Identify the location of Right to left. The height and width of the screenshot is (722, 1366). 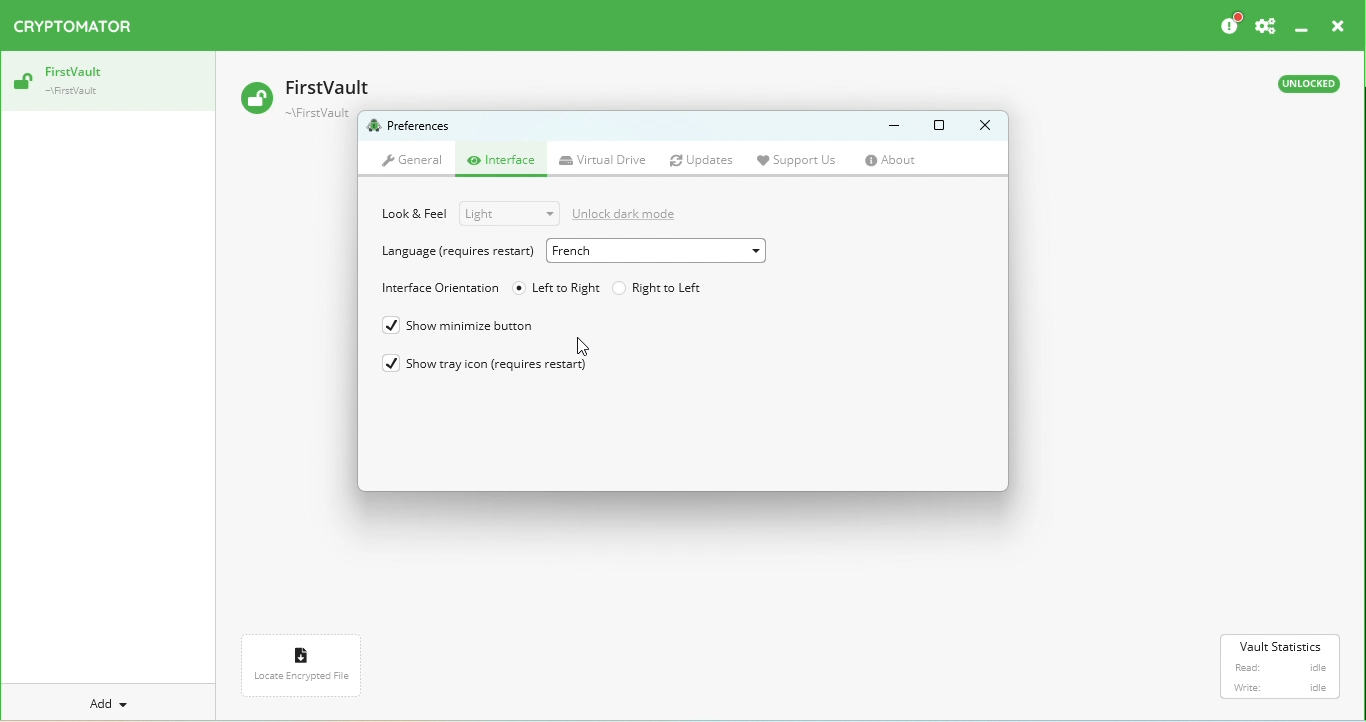
(659, 286).